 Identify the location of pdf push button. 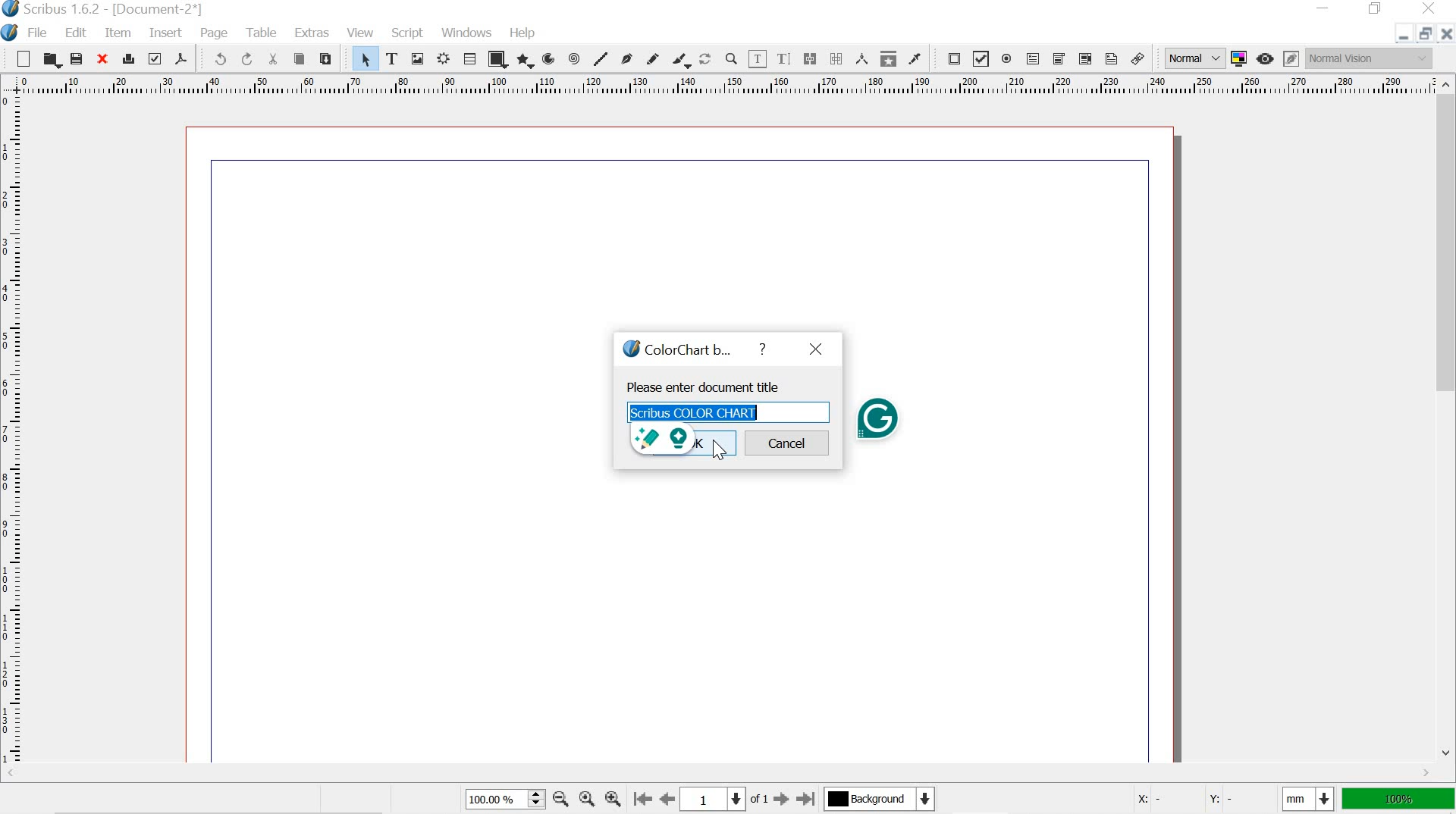
(950, 58).